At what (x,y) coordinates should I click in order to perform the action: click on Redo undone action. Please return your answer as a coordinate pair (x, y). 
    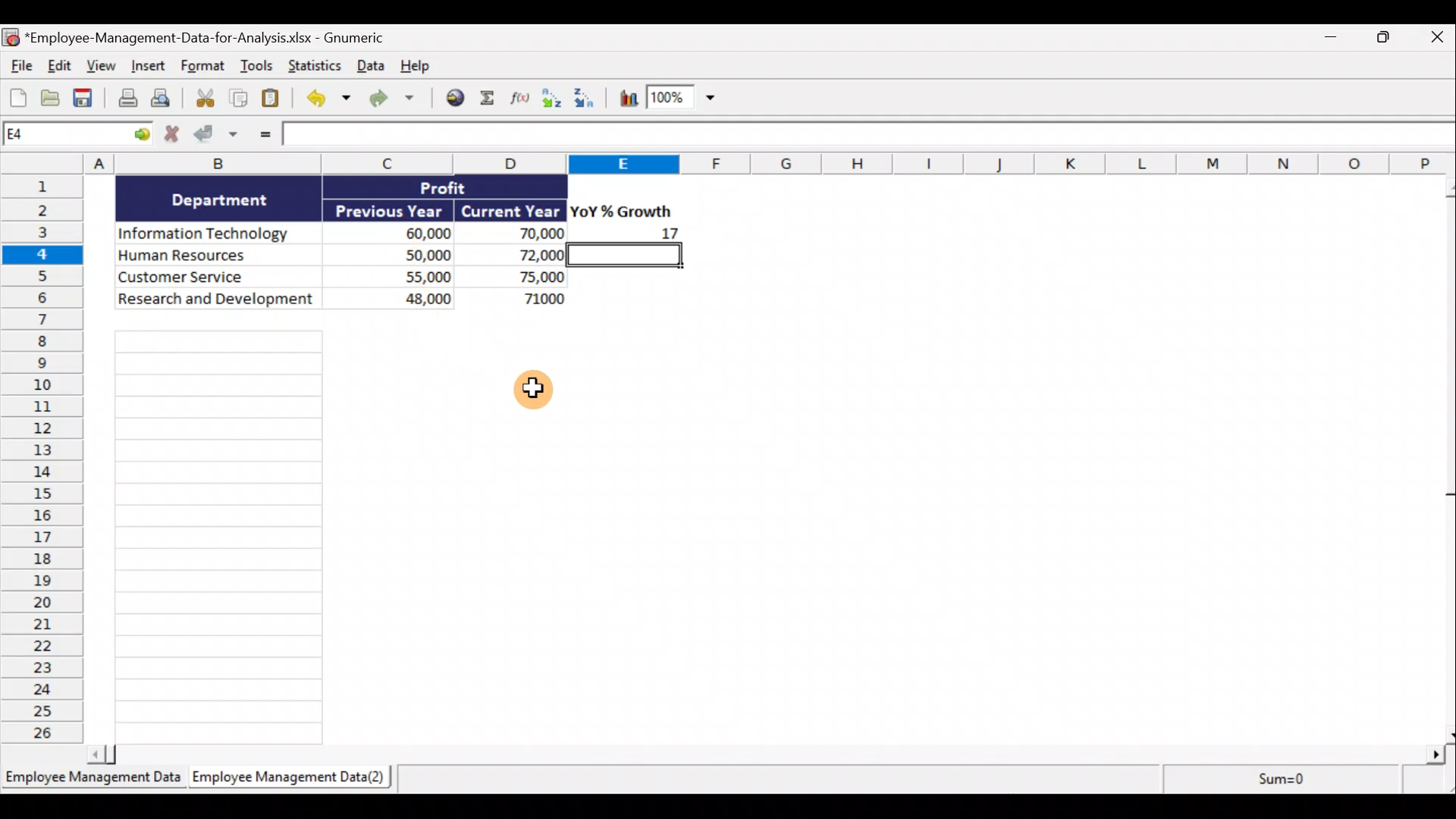
    Looking at the image, I should click on (390, 99).